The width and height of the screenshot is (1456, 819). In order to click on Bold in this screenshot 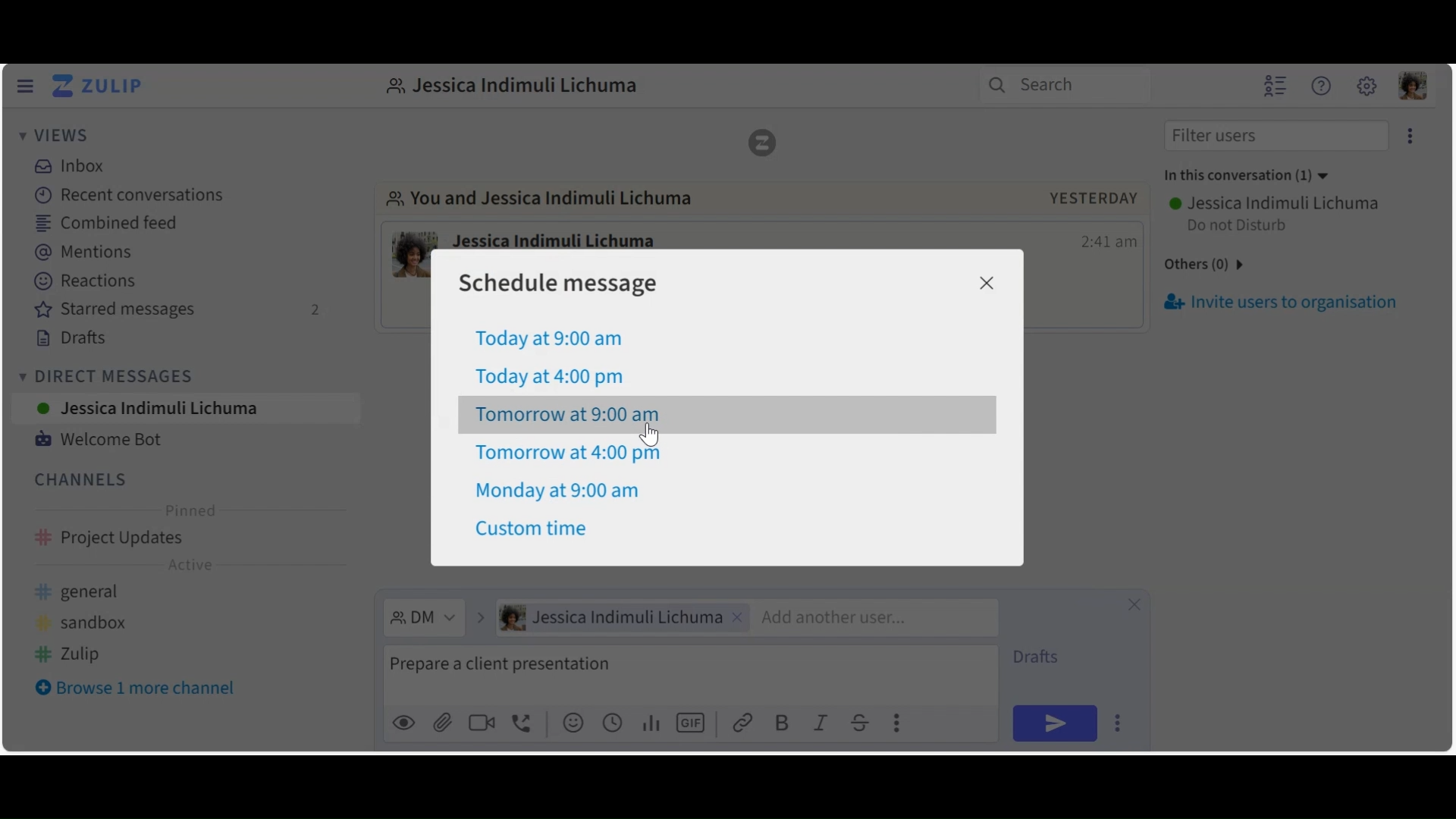, I will do `click(783, 723)`.